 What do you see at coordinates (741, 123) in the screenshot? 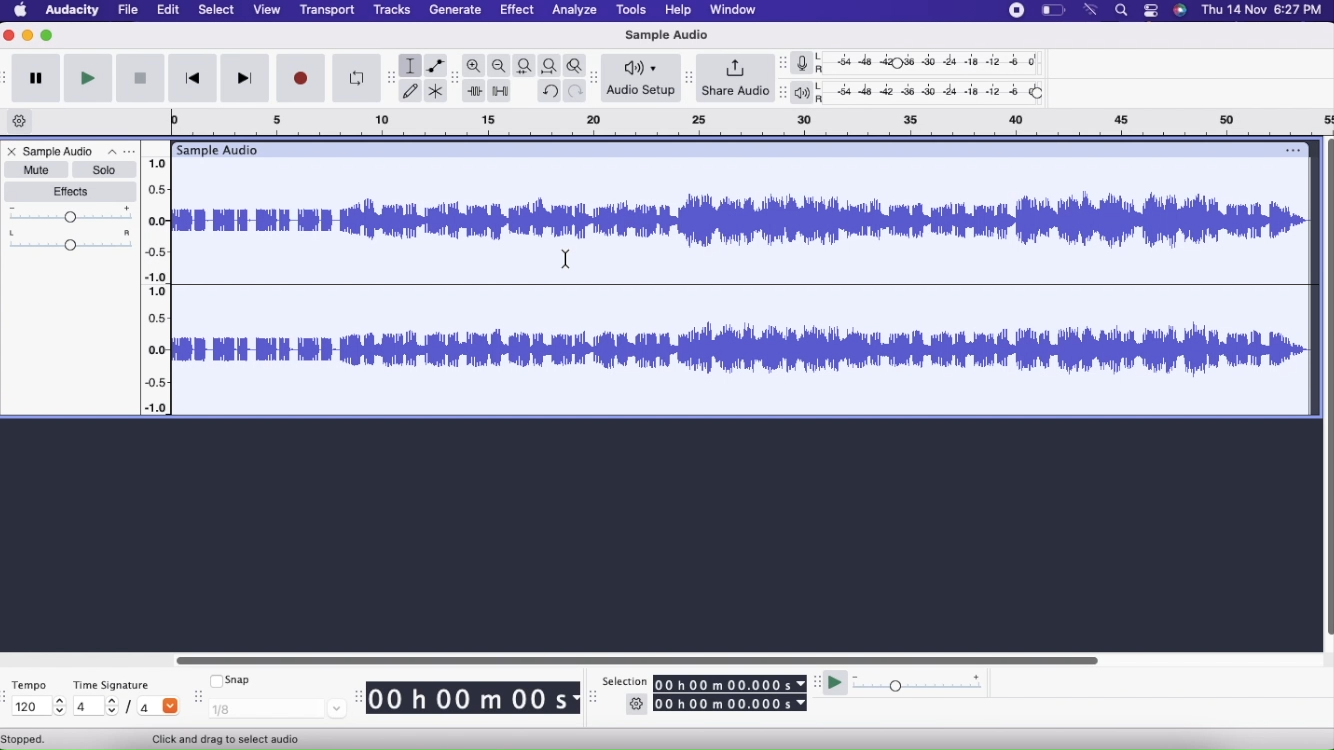
I see `click and drag to define looping region` at bounding box center [741, 123].